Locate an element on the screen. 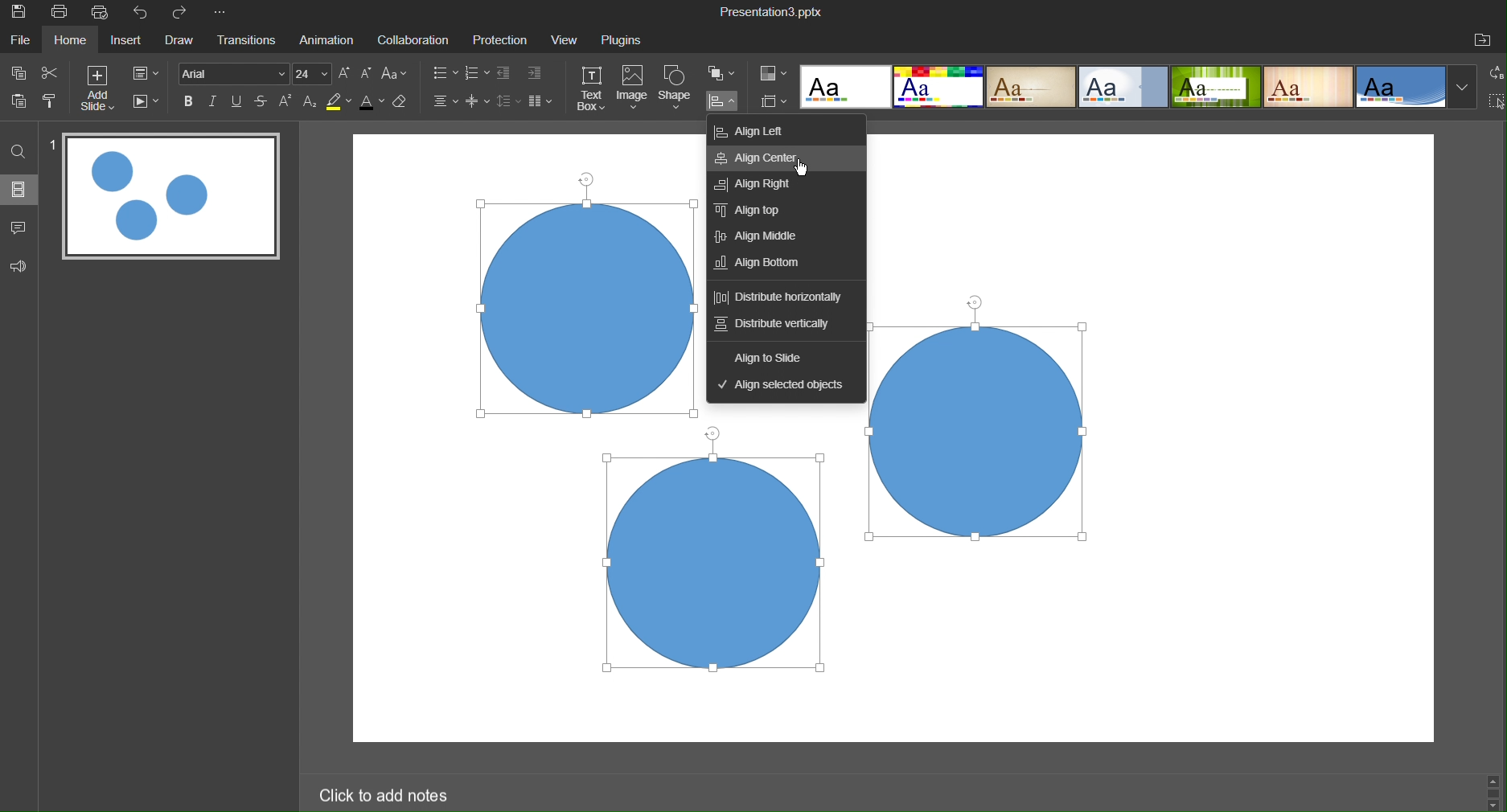 Image resolution: width=1507 pixels, height=812 pixels. Protection is located at coordinates (502, 40).